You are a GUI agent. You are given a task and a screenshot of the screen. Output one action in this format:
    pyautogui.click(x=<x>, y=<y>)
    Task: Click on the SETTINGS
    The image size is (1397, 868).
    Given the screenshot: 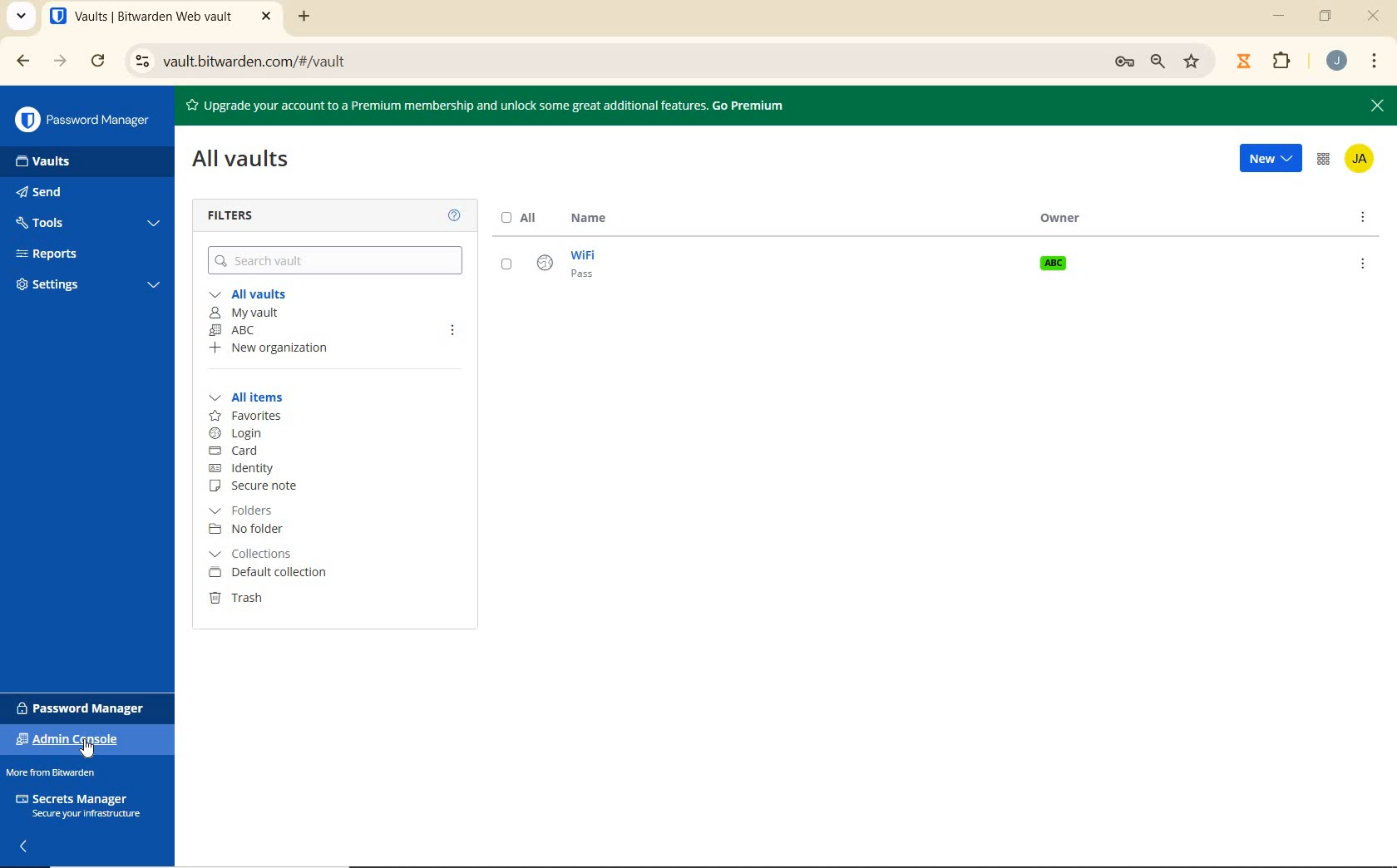 What is the action you would take?
    pyautogui.click(x=91, y=285)
    